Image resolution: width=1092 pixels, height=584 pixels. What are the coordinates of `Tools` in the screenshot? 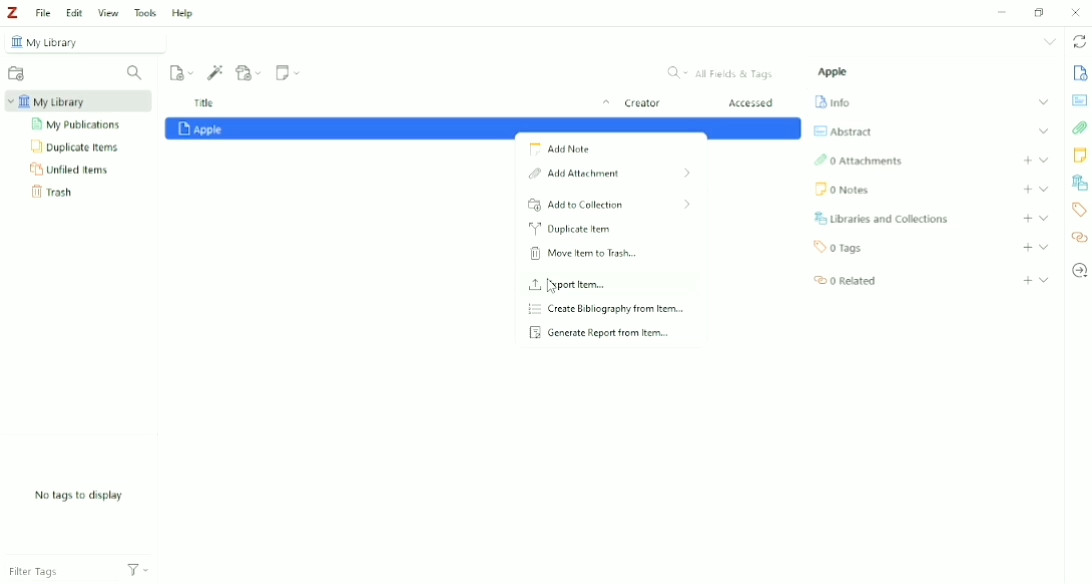 It's located at (146, 13).